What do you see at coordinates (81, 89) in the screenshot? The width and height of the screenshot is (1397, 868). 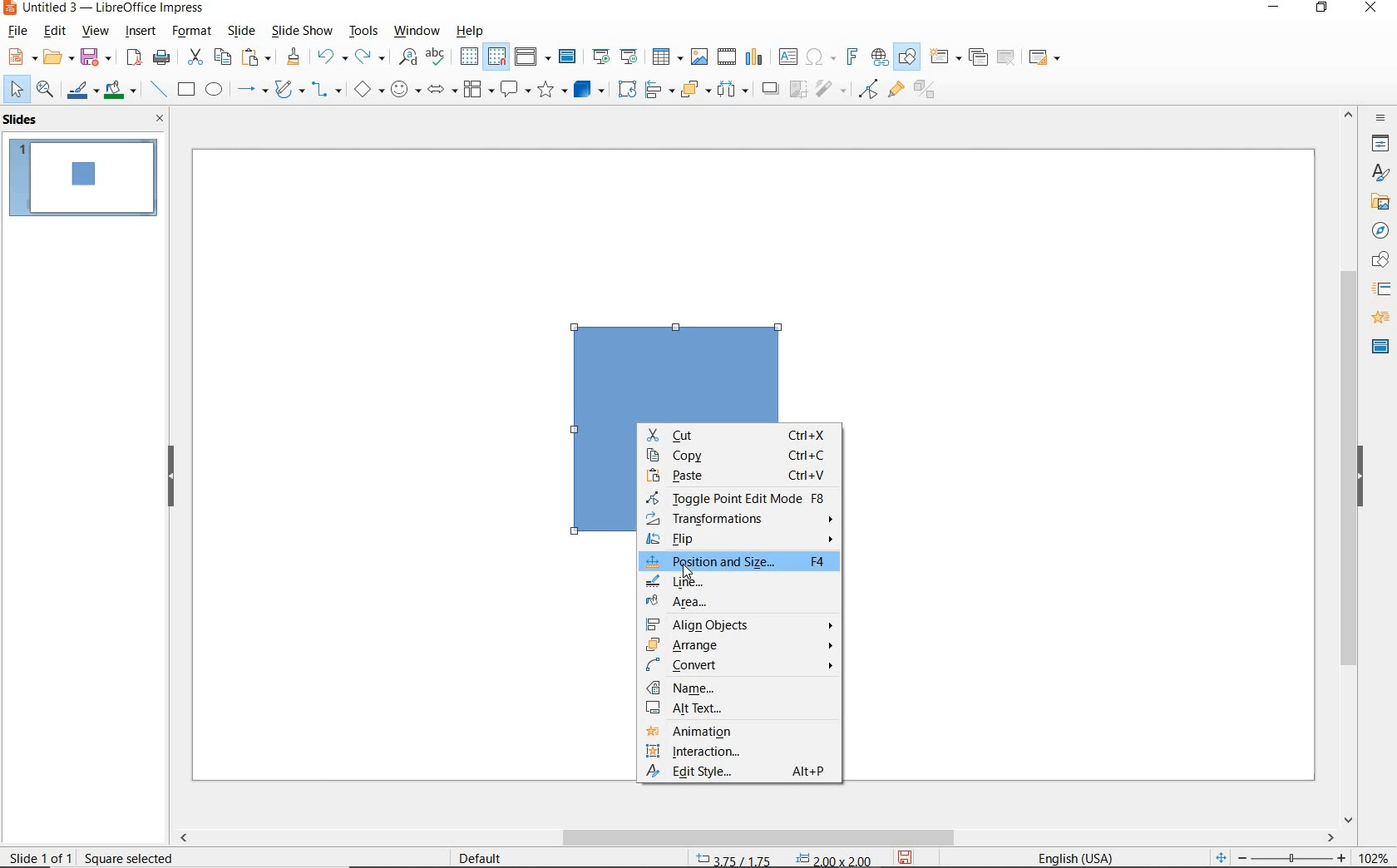 I see `line color` at bounding box center [81, 89].